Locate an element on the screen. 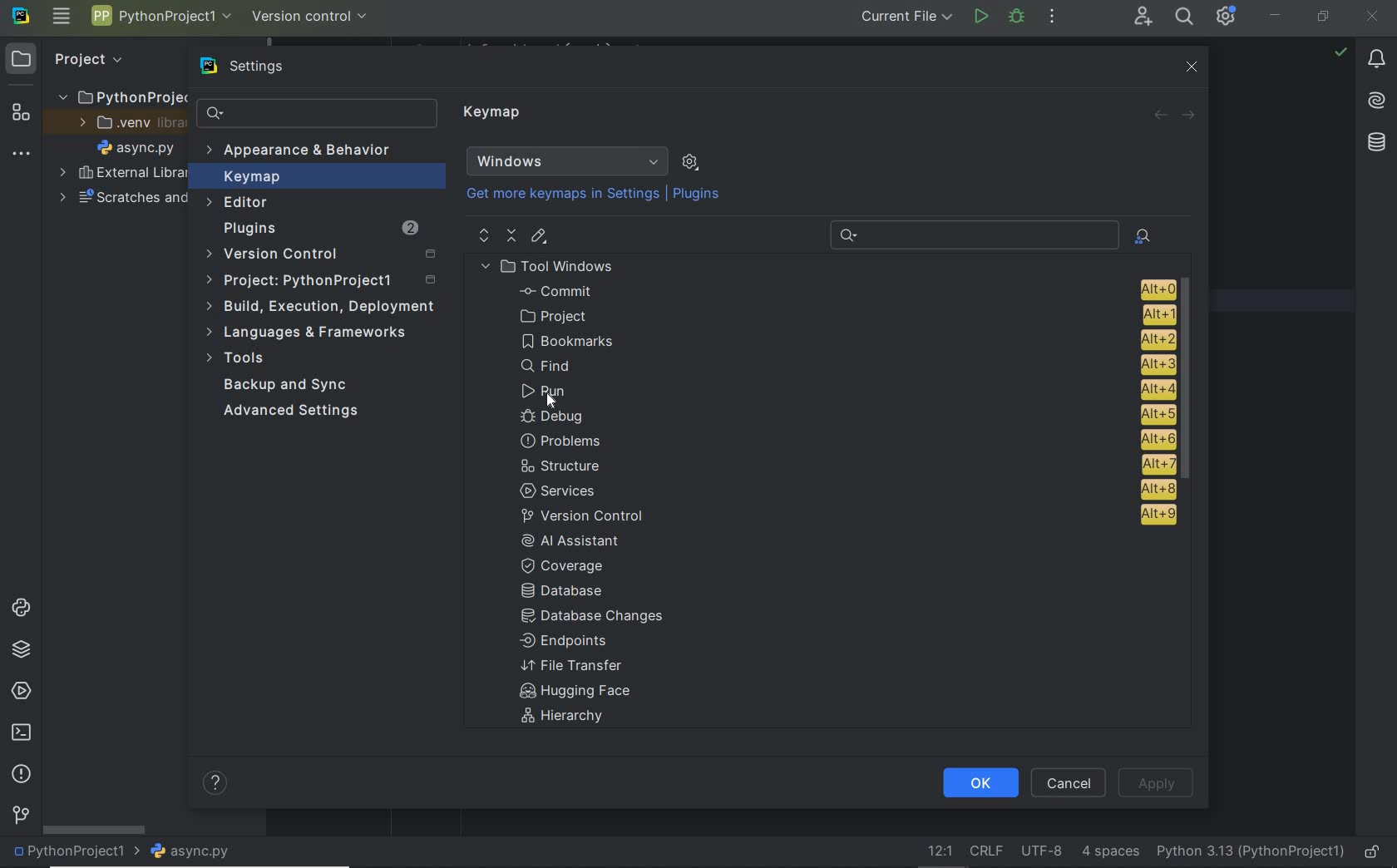  problems is located at coordinates (21, 775).